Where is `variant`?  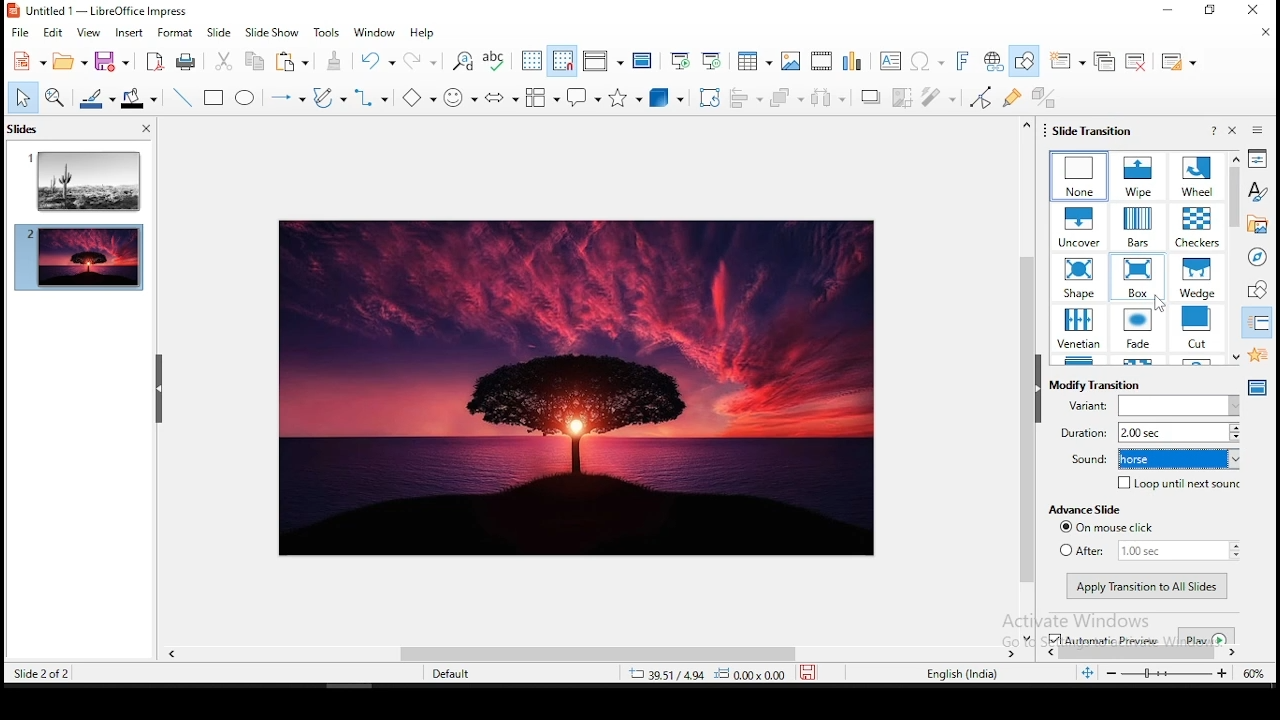 variant is located at coordinates (1152, 405).